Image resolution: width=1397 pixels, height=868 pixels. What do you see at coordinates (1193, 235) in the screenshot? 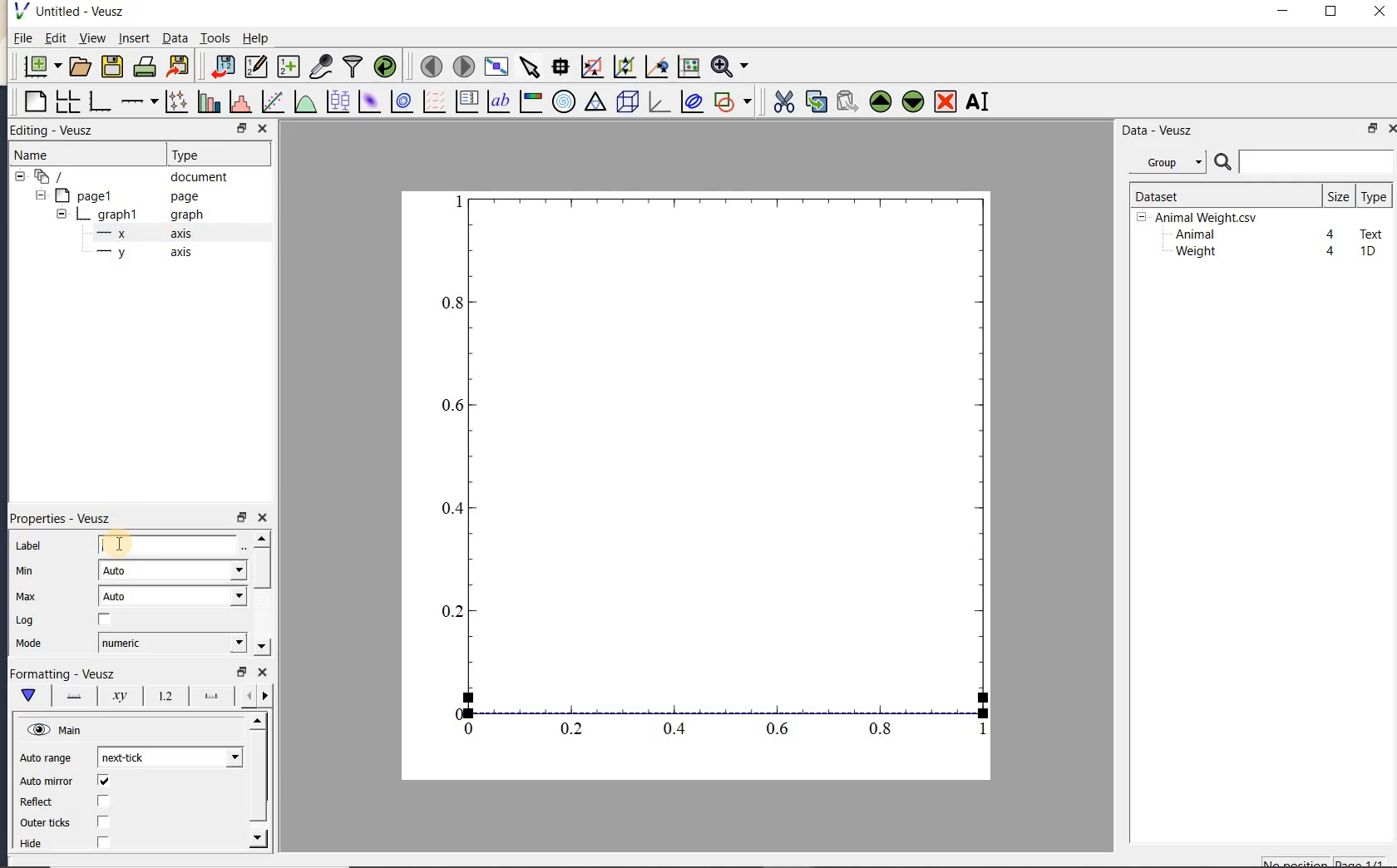
I see `Animal` at bounding box center [1193, 235].